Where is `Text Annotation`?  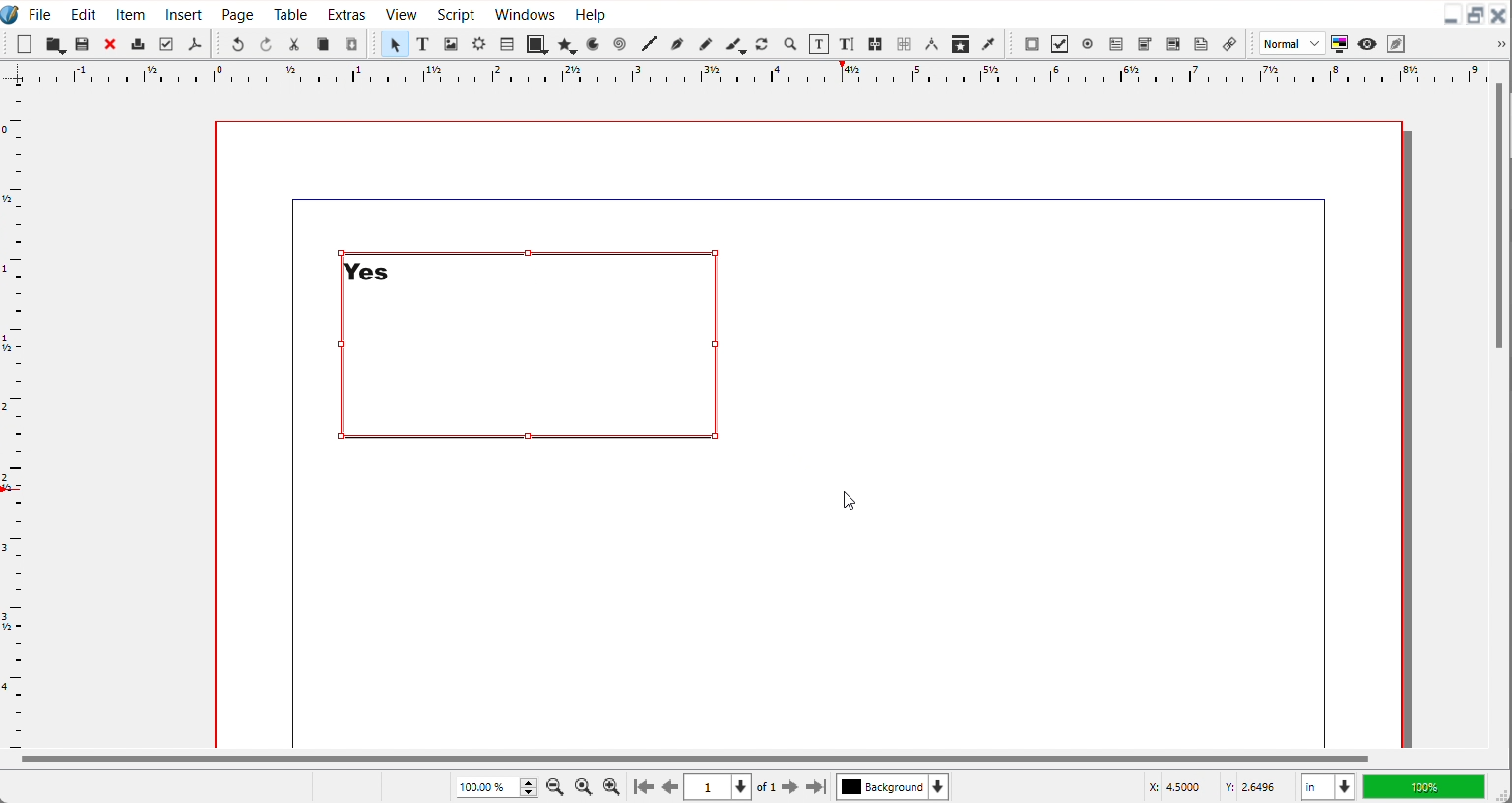 Text Annotation is located at coordinates (1201, 44).